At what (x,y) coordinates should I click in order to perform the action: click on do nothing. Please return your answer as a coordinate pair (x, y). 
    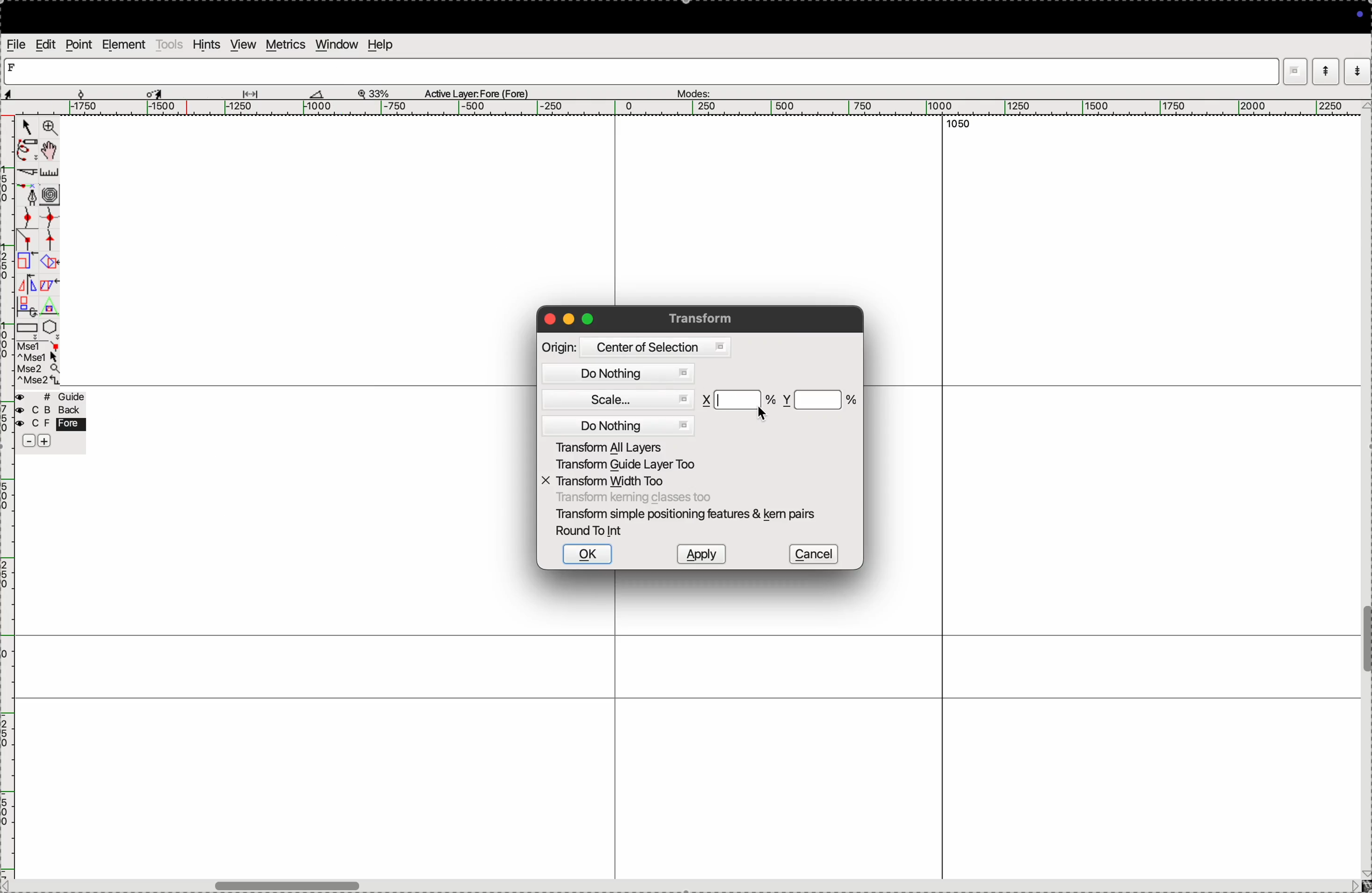
    Looking at the image, I should click on (621, 374).